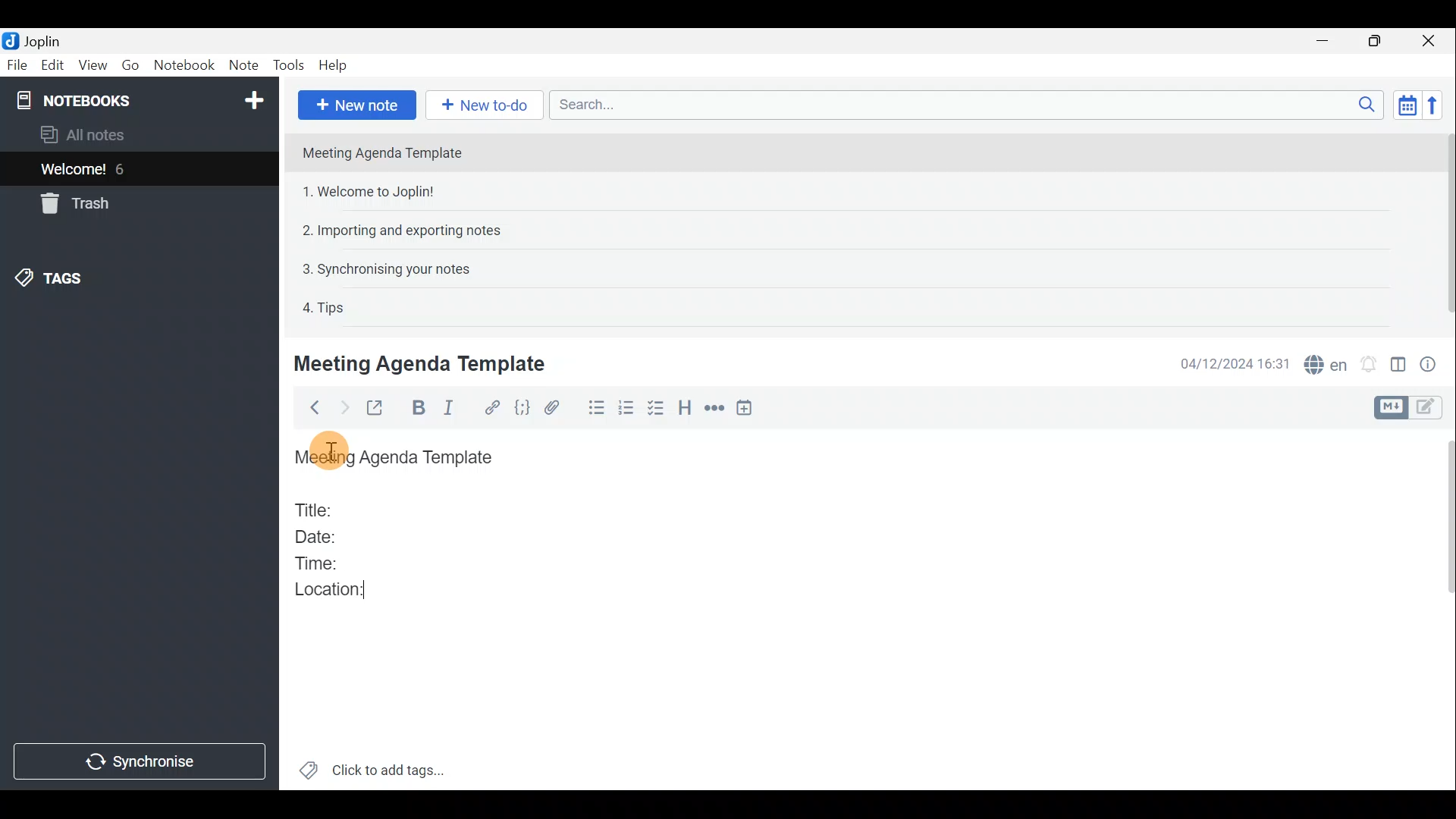  Describe the element at coordinates (317, 560) in the screenshot. I see `Time:` at that location.